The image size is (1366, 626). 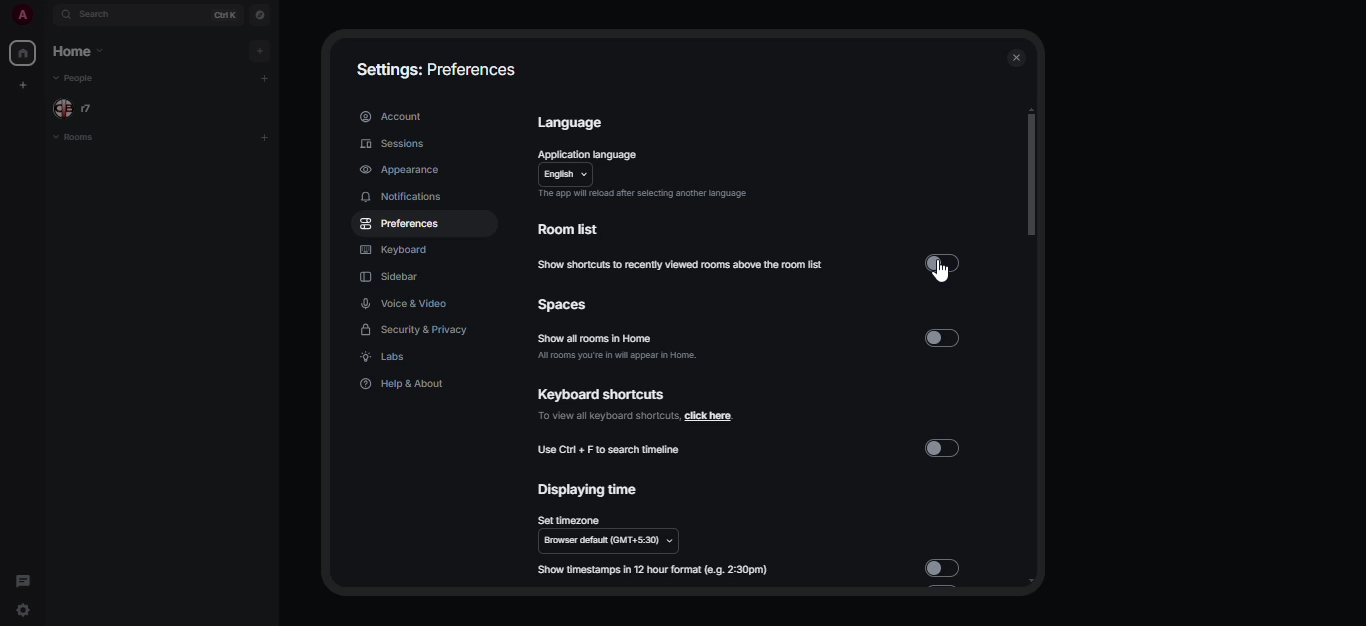 What do you see at coordinates (392, 143) in the screenshot?
I see `sessions` at bounding box center [392, 143].